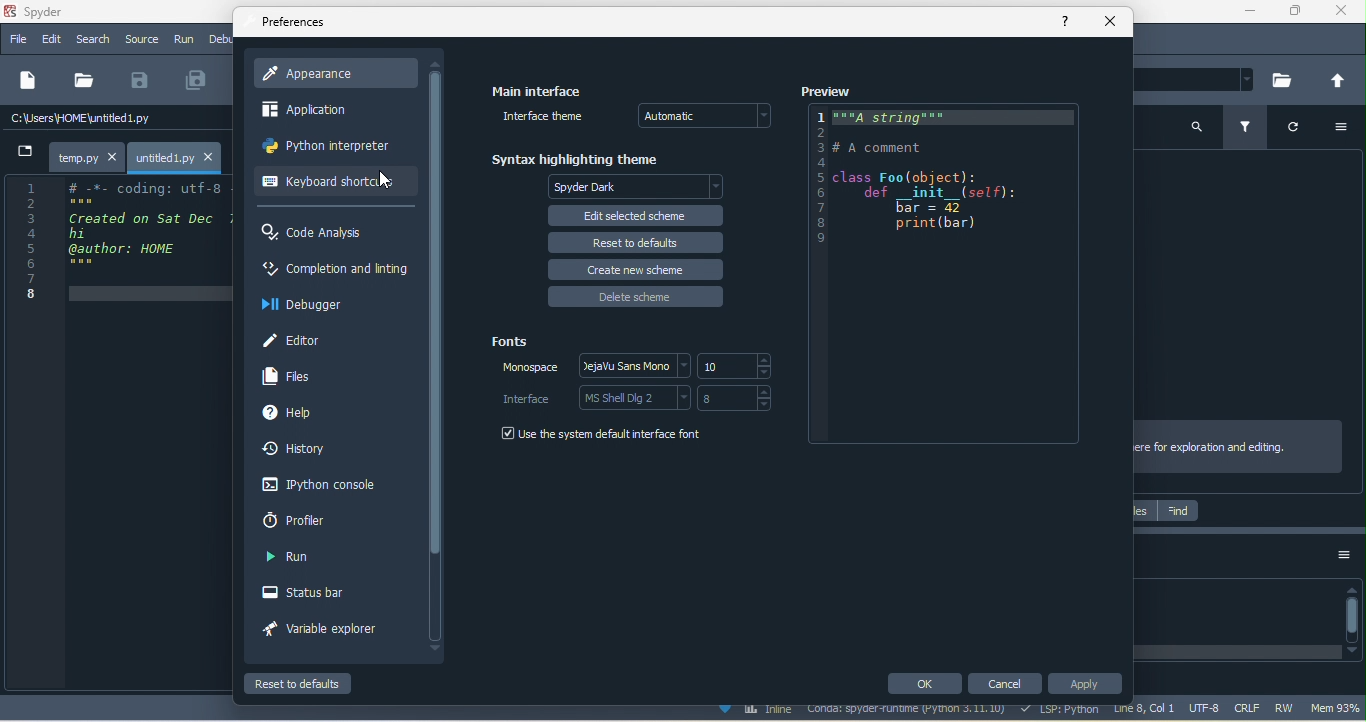  What do you see at coordinates (632, 241) in the screenshot?
I see `reset to defaults` at bounding box center [632, 241].